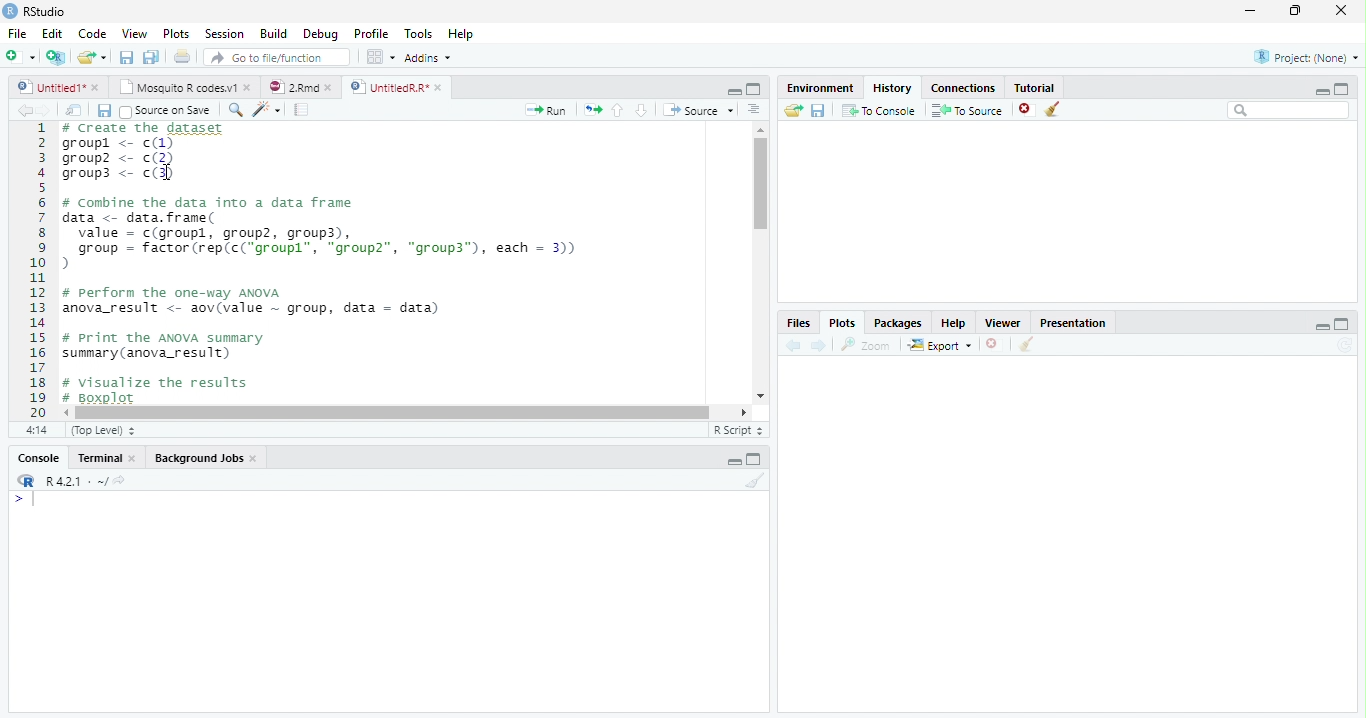  I want to click on Addins, so click(429, 59).